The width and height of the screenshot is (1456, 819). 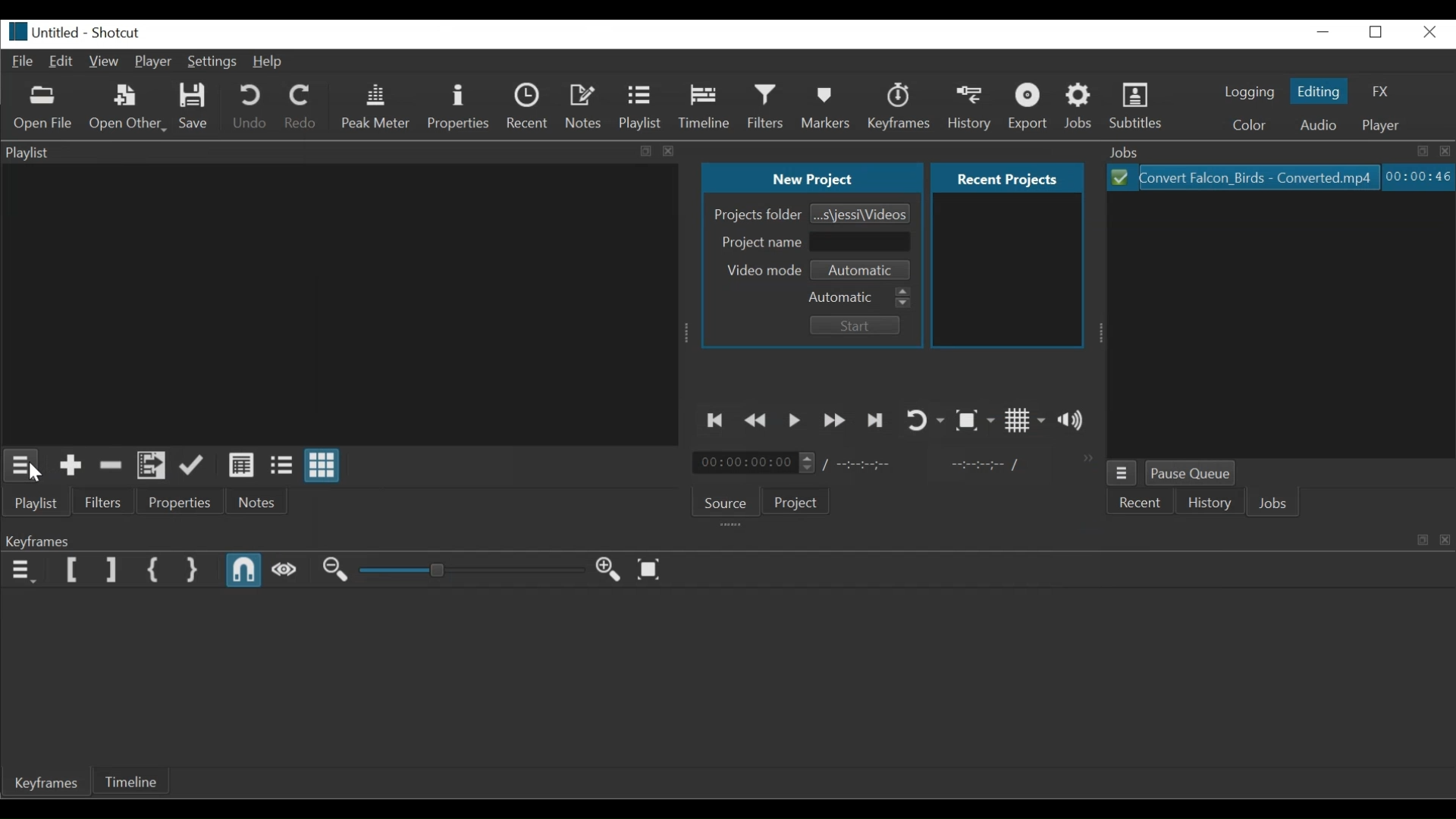 I want to click on restore, so click(x=1375, y=33).